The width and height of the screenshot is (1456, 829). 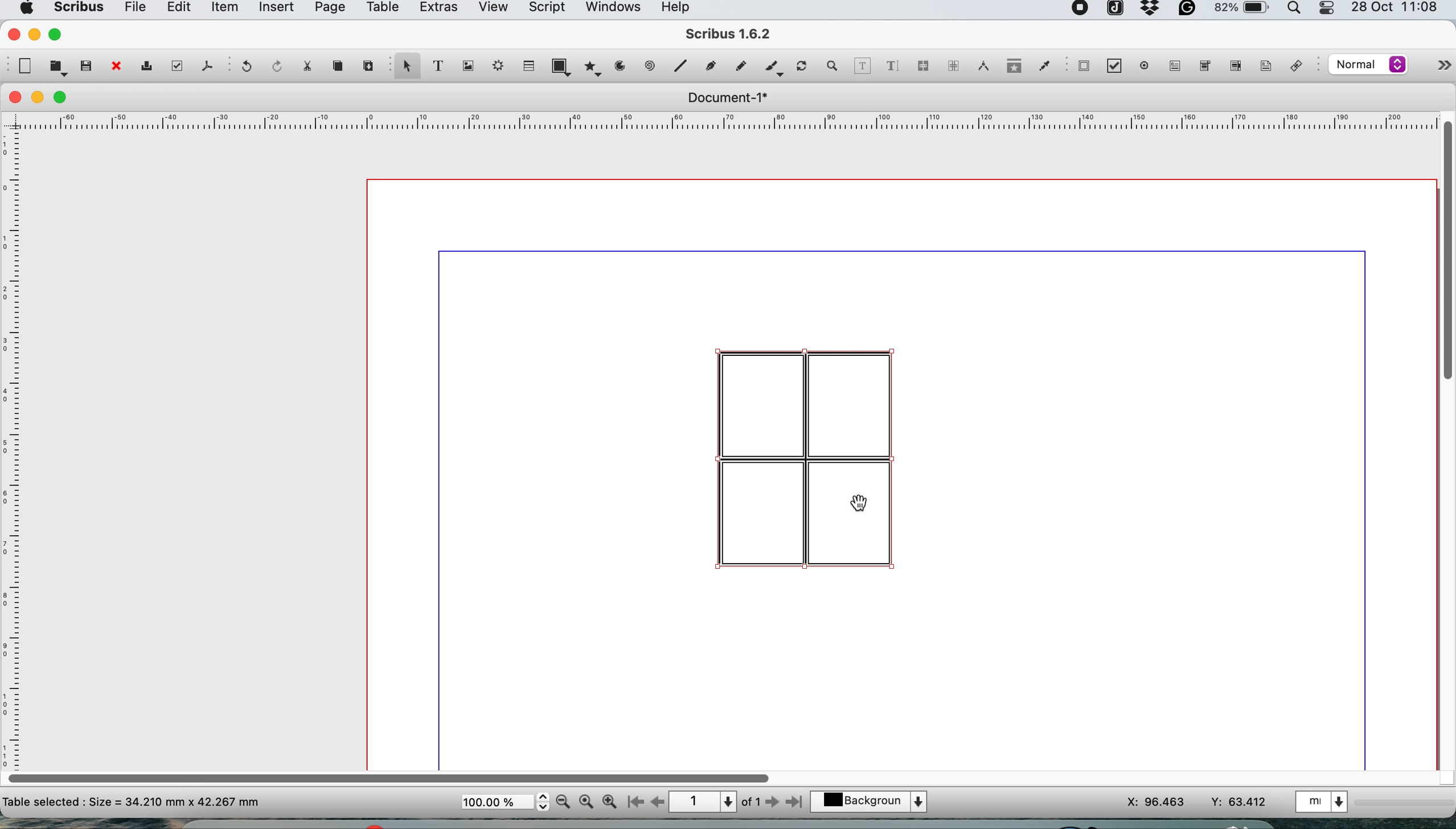 I want to click on table, so click(x=527, y=65).